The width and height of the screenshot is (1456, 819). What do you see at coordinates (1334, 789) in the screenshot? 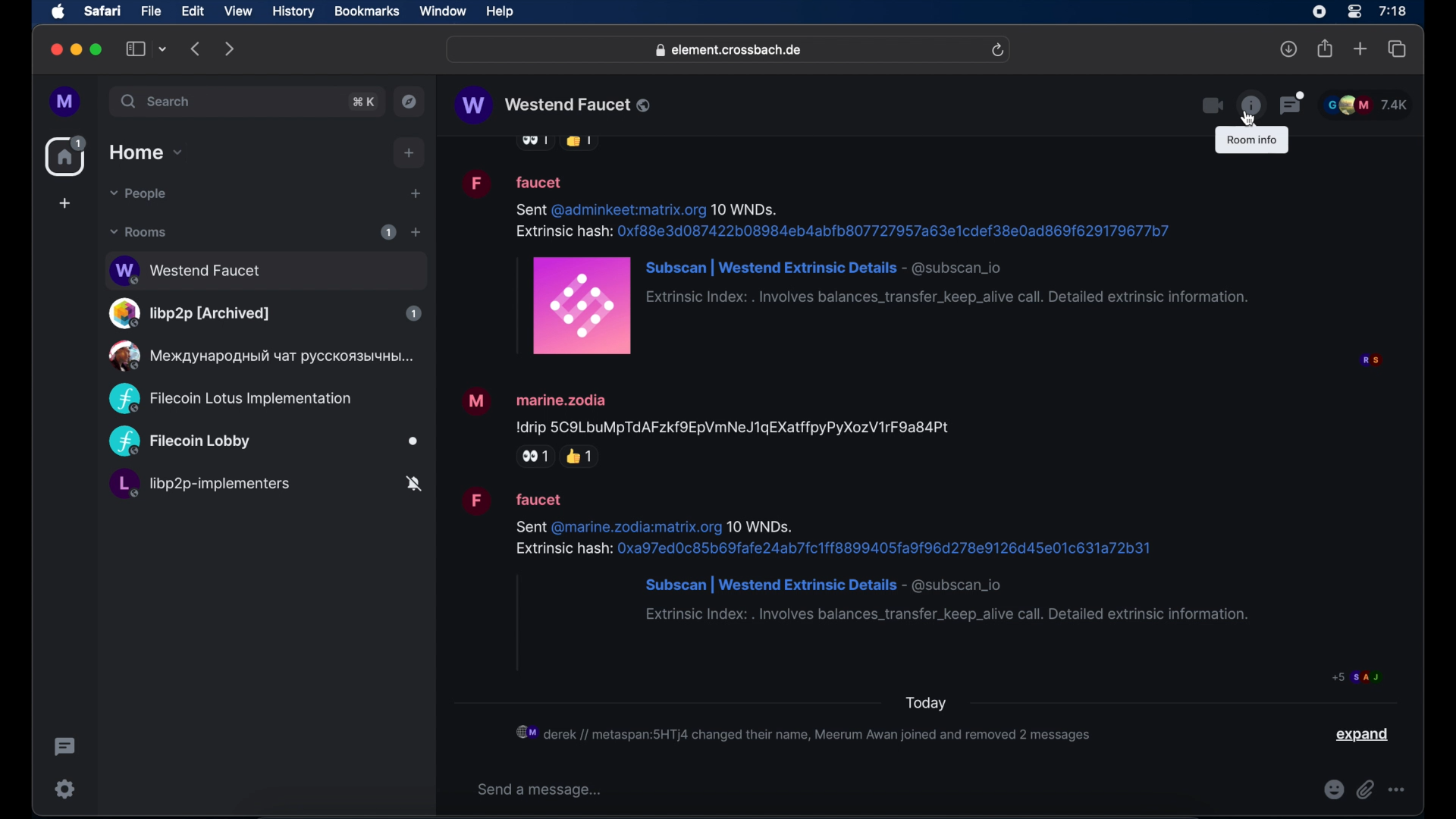
I see `emojis` at bounding box center [1334, 789].